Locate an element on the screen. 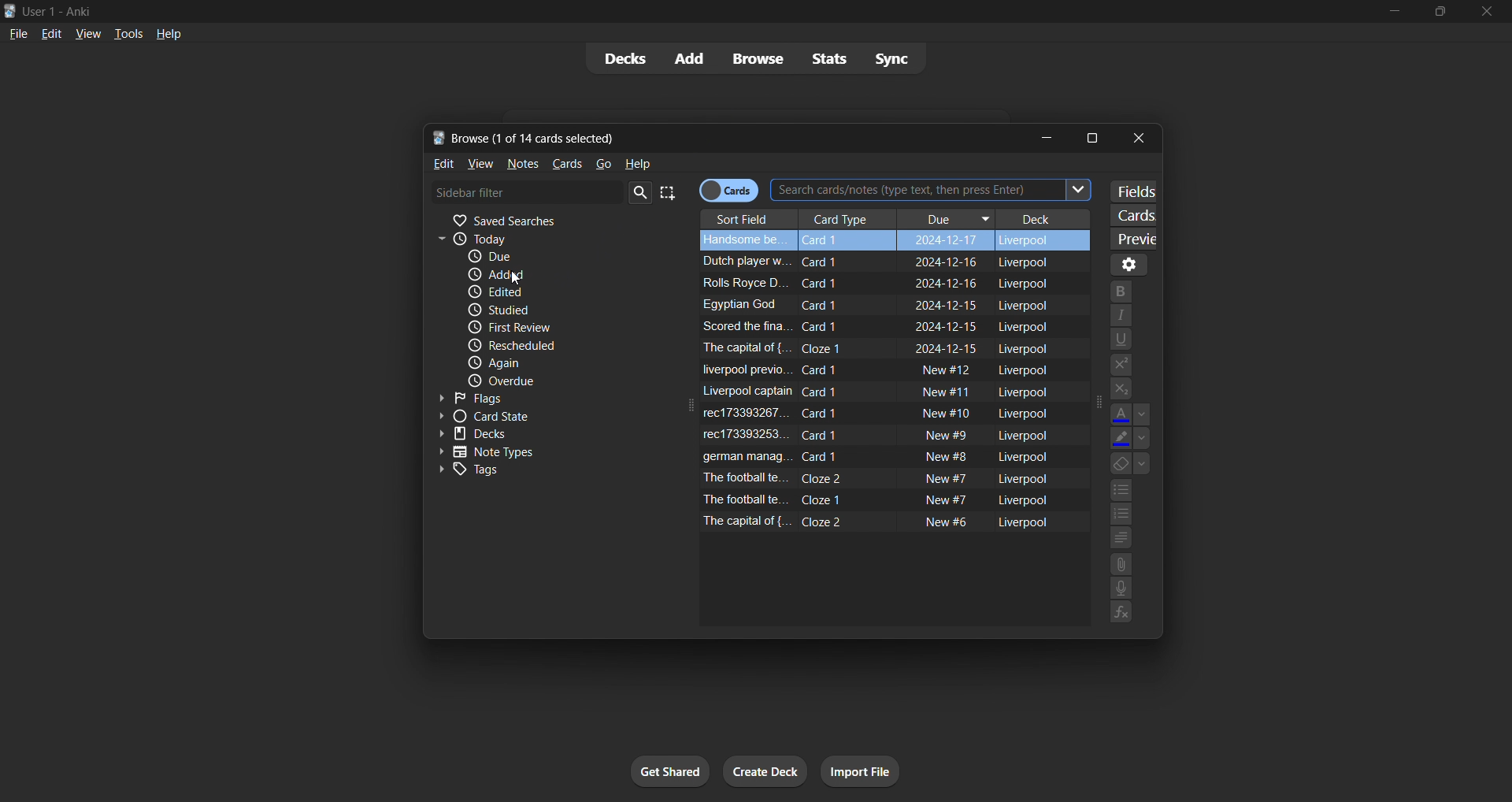 The height and width of the screenshot is (802, 1512). Scored the fina. Card 1 2024-12-15 Liverpool is located at coordinates (876, 325).